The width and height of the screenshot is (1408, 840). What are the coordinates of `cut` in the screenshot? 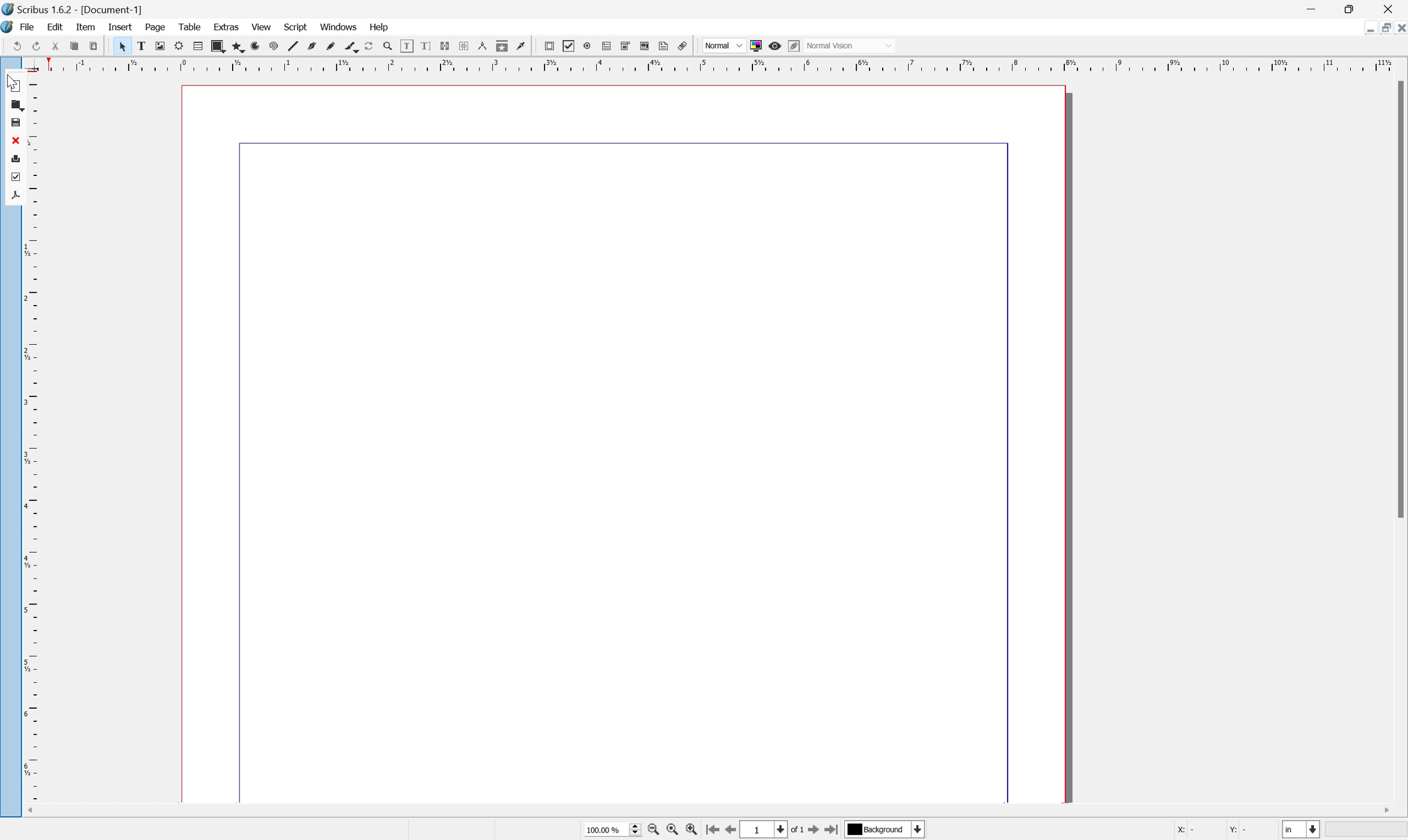 It's located at (199, 46).